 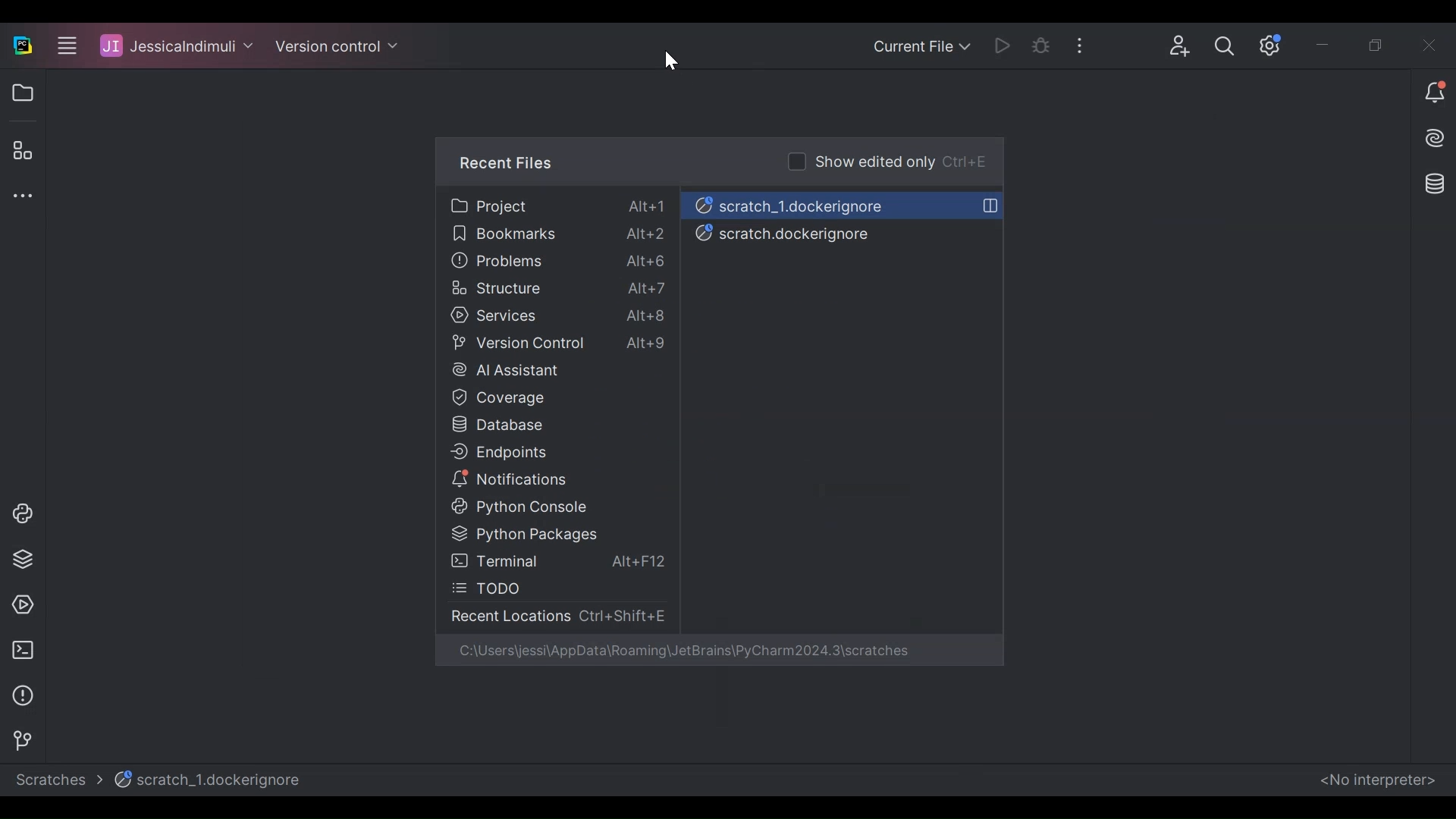 I want to click on Database, so click(x=1436, y=187).